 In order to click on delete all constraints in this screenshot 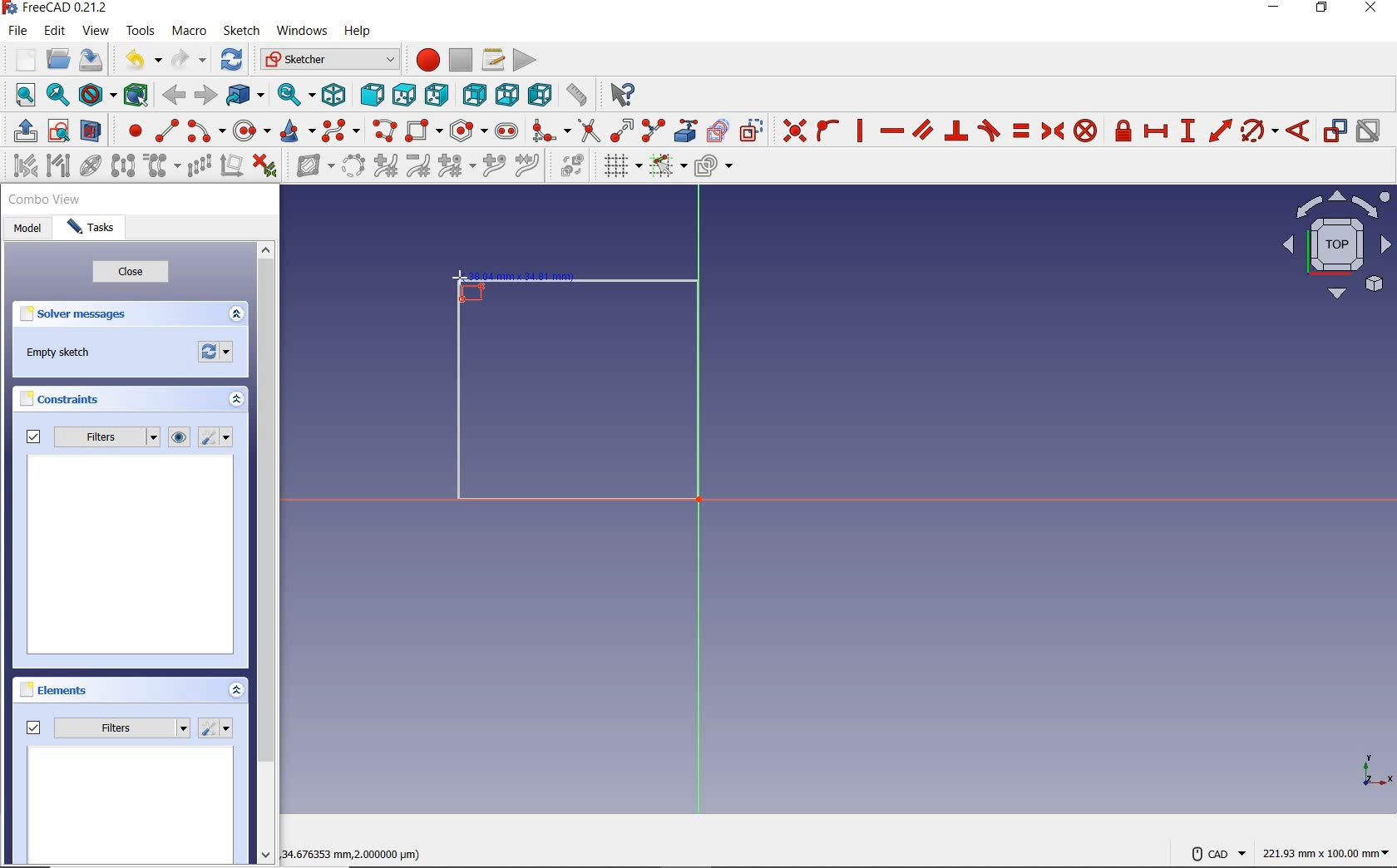, I will do `click(264, 167)`.